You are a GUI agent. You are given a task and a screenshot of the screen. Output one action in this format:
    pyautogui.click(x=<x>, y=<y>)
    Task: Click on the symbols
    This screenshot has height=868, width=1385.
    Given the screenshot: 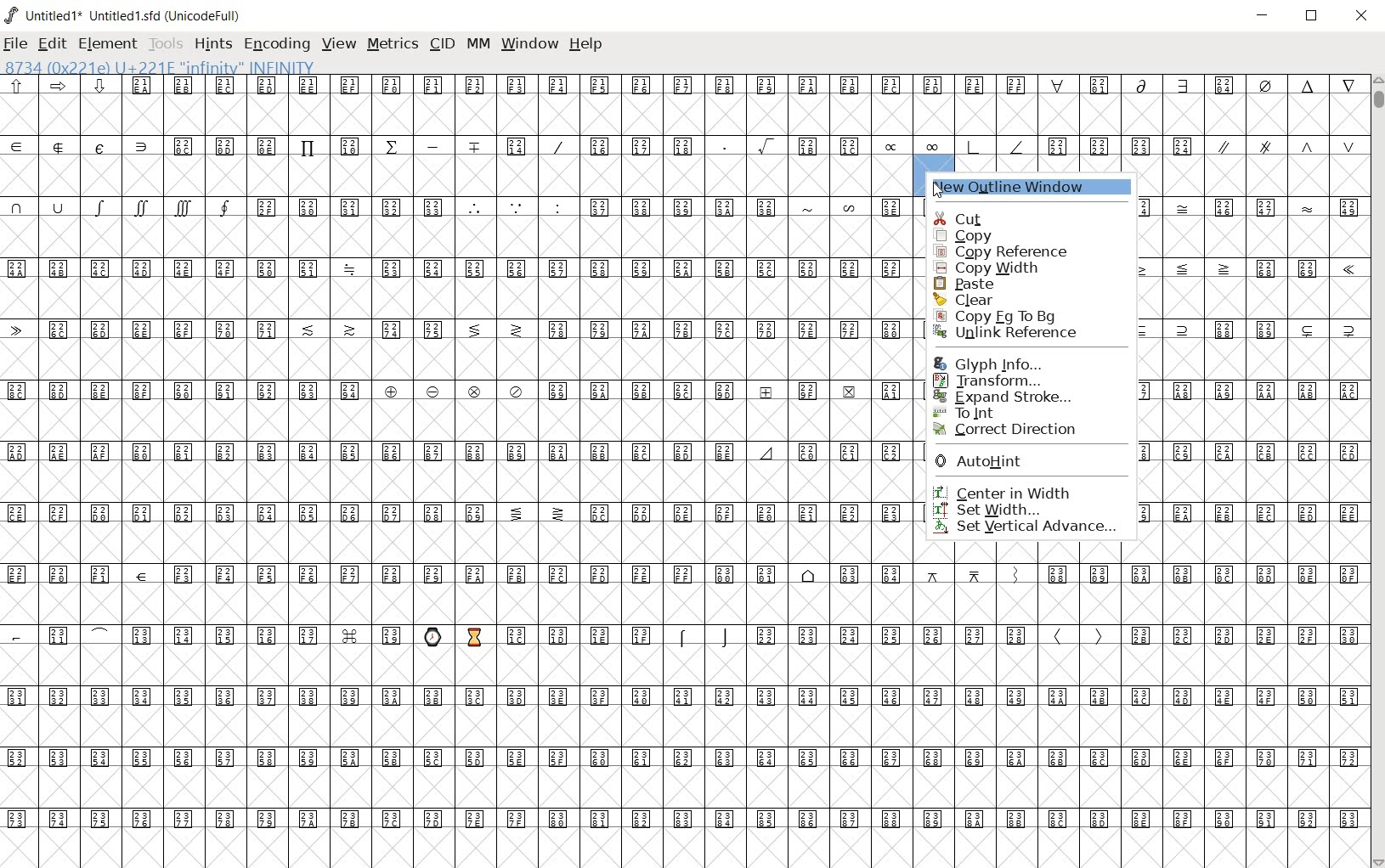 What is the action you would take?
    pyautogui.click(x=953, y=146)
    